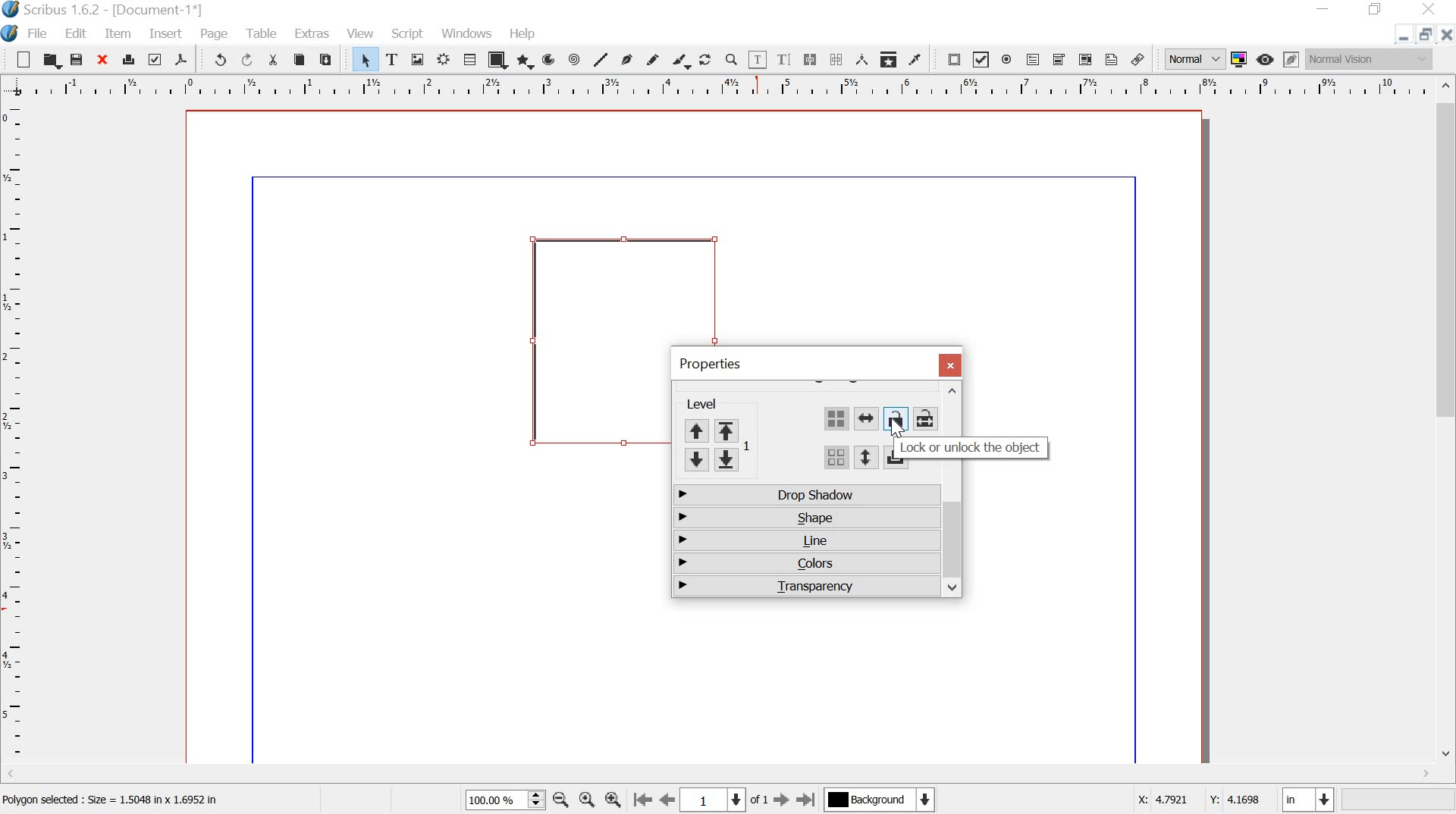 Image resolution: width=1456 pixels, height=814 pixels. I want to click on restore down, so click(1375, 9).